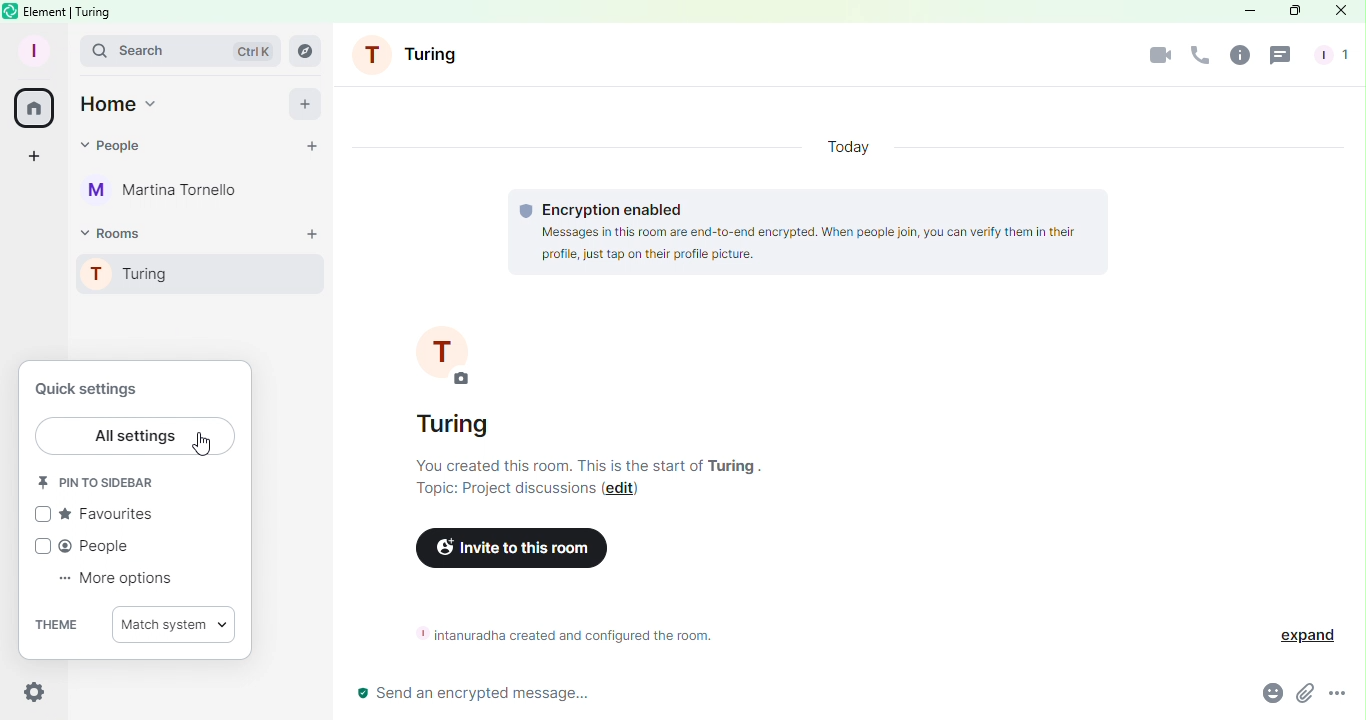  What do you see at coordinates (422, 57) in the screenshot?
I see `Turing ` at bounding box center [422, 57].